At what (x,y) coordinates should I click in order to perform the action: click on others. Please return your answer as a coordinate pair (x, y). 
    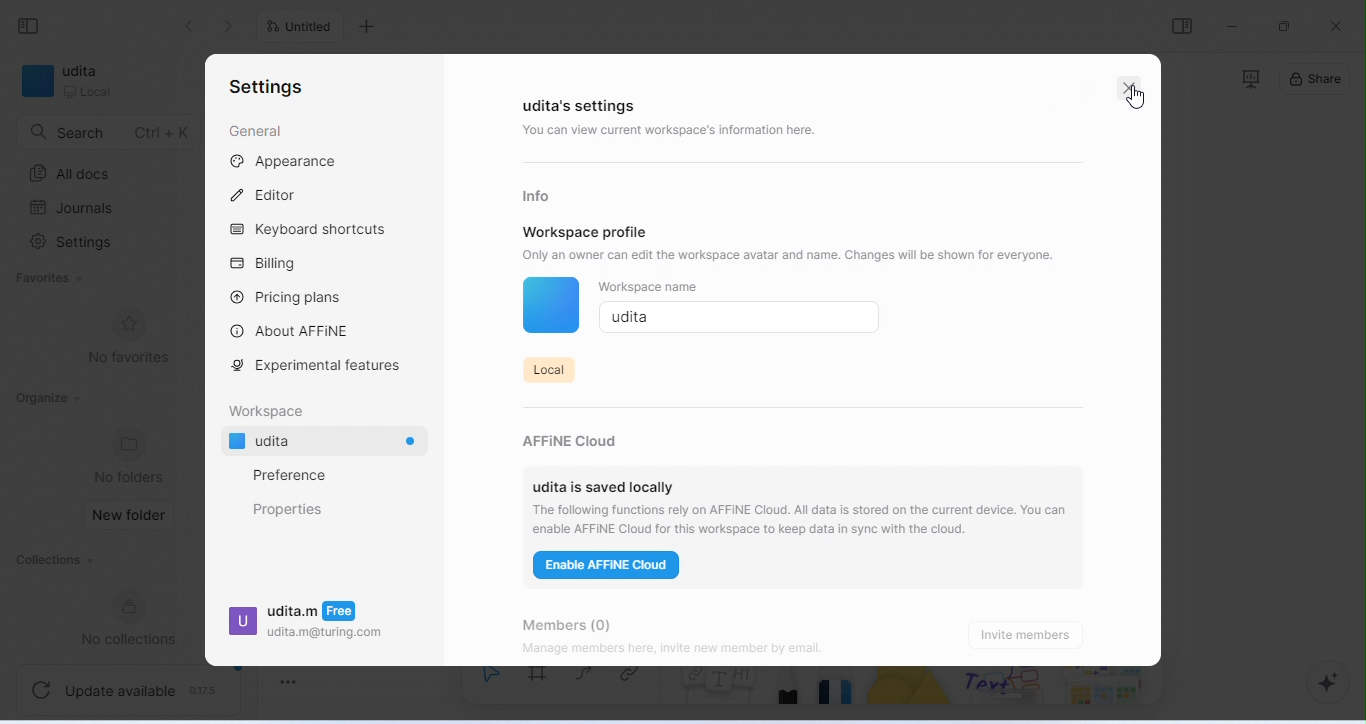
    Looking at the image, I should click on (1007, 688).